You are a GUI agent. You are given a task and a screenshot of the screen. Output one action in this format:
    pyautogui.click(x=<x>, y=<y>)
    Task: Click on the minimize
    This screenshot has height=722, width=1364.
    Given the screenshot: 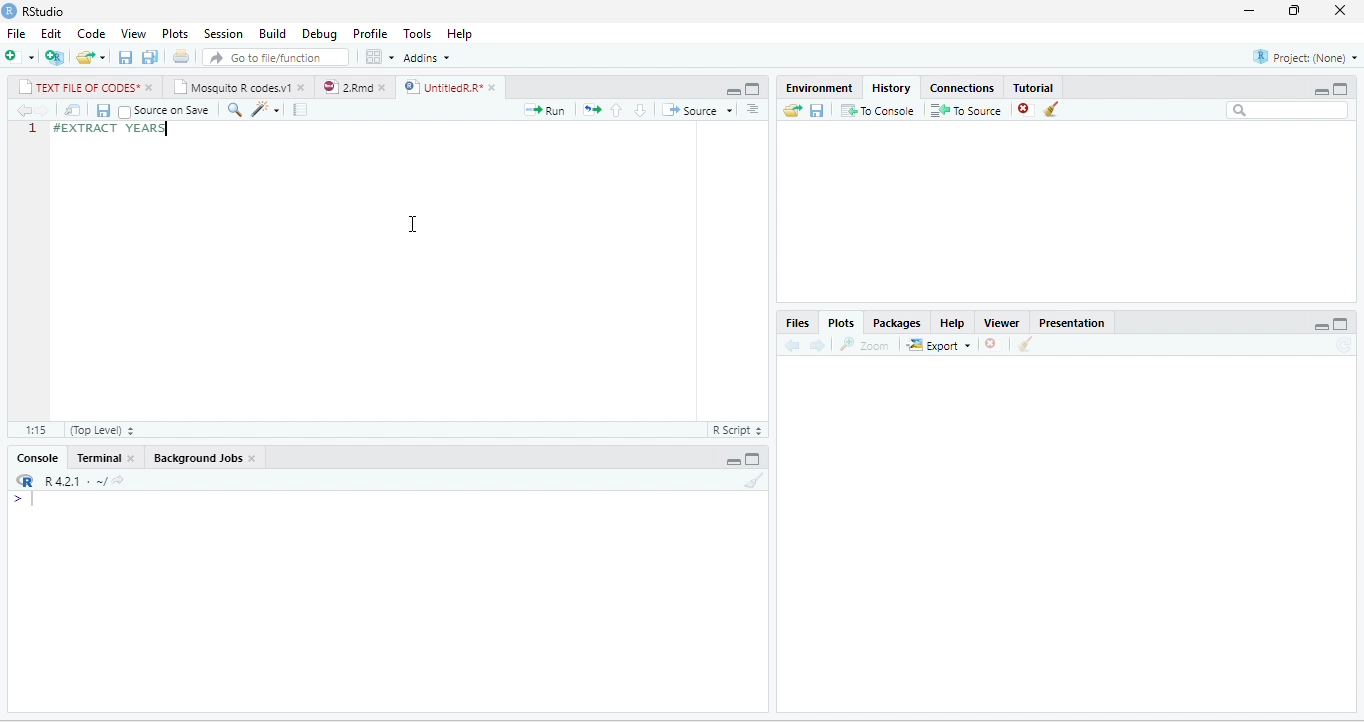 What is the action you would take?
    pyautogui.click(x=1321, y=91)
    